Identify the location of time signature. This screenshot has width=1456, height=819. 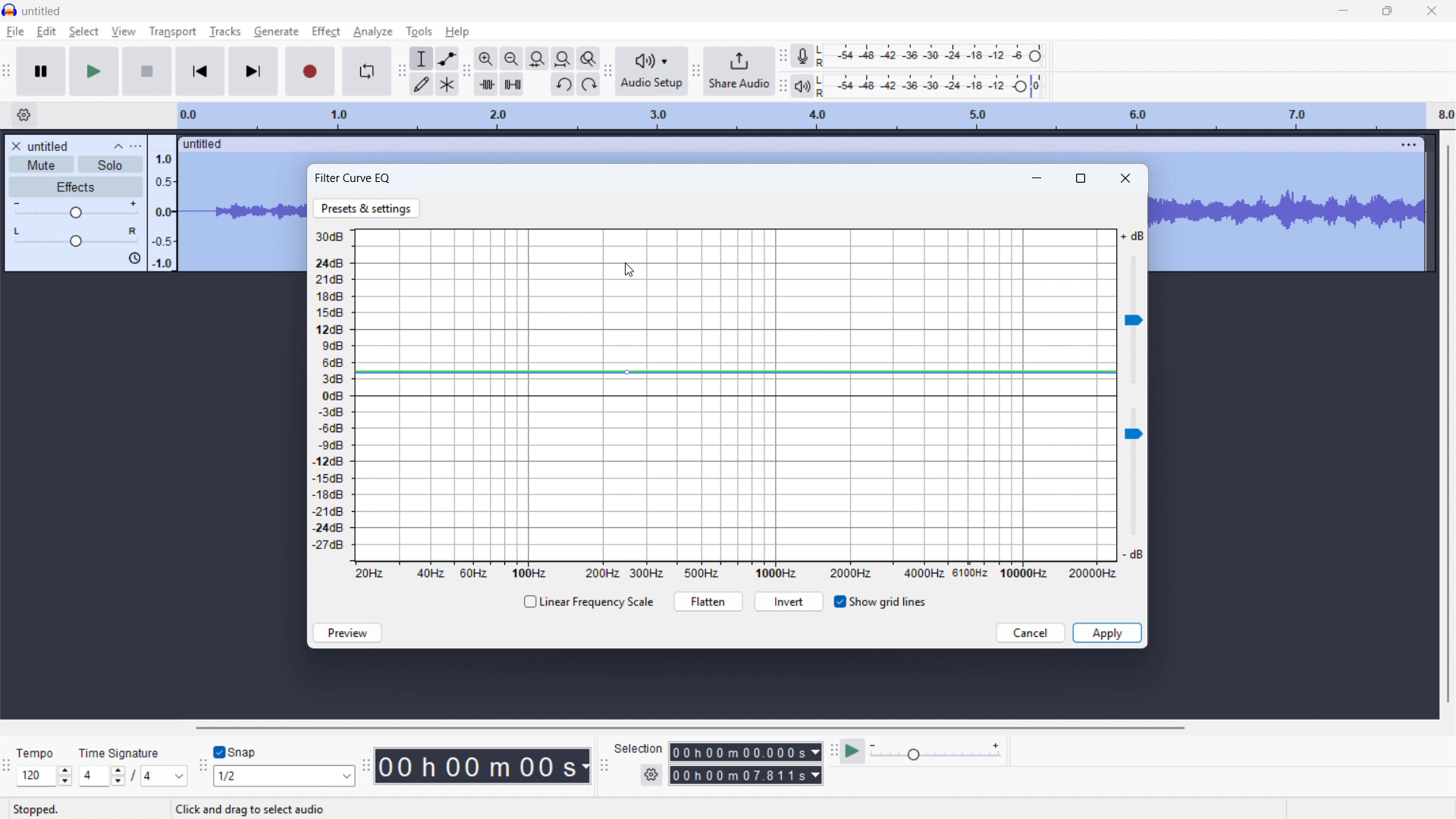
(120, 754).